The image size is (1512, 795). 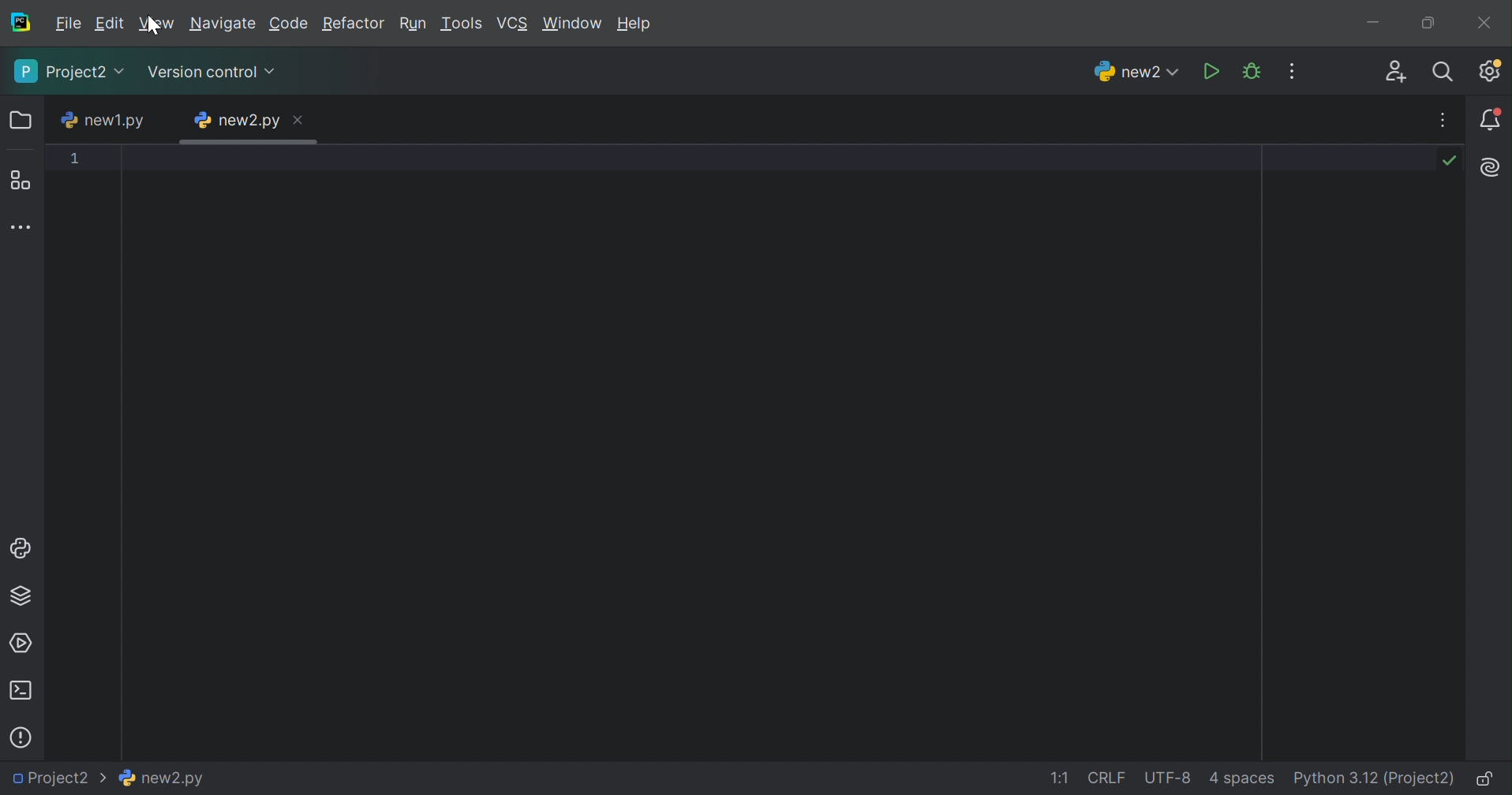 I want to click on Python packages, so click(x=20, y=595).